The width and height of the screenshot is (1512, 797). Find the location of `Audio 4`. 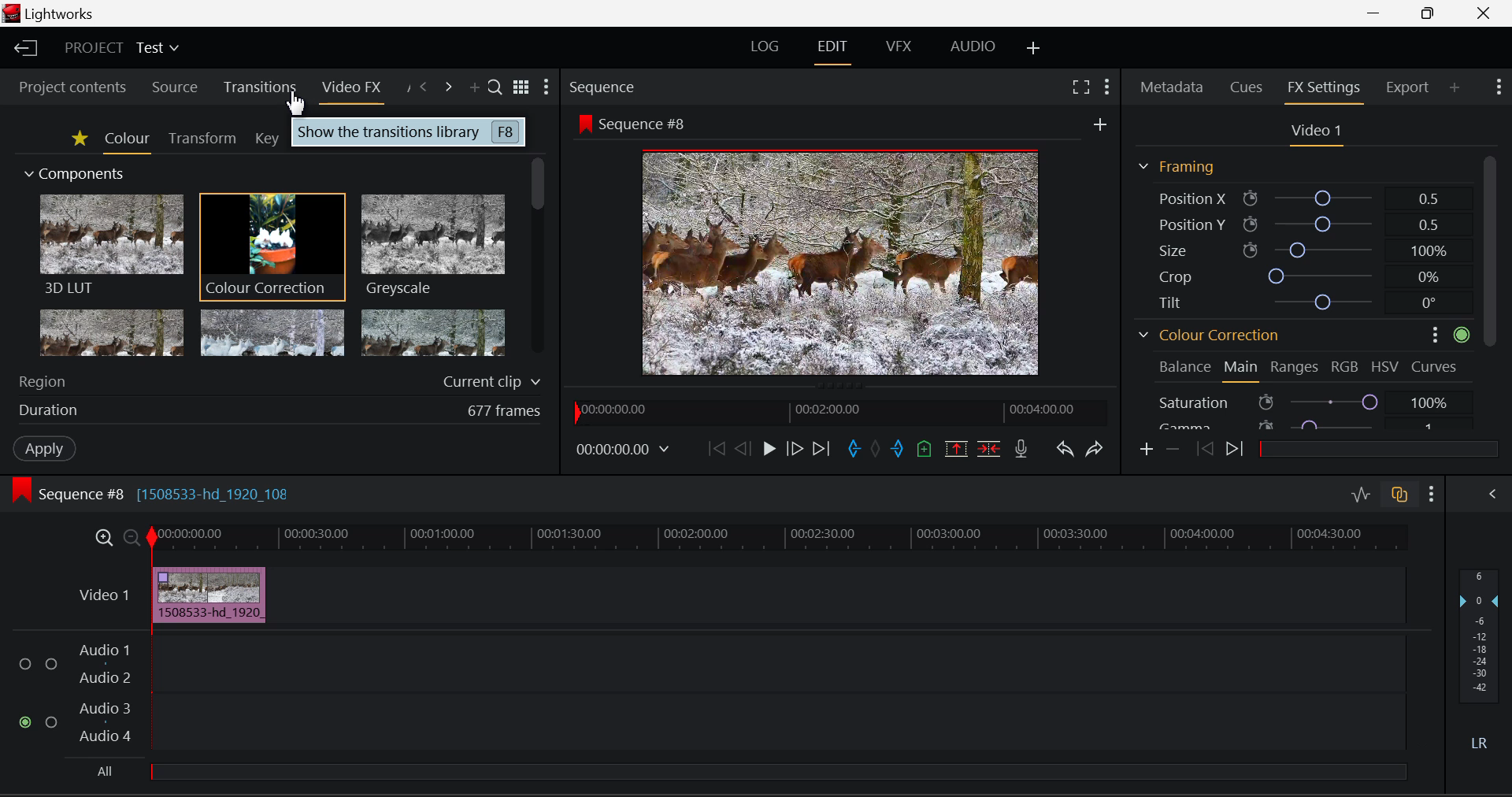

Audio 4 is located at coordinates (107, 739).